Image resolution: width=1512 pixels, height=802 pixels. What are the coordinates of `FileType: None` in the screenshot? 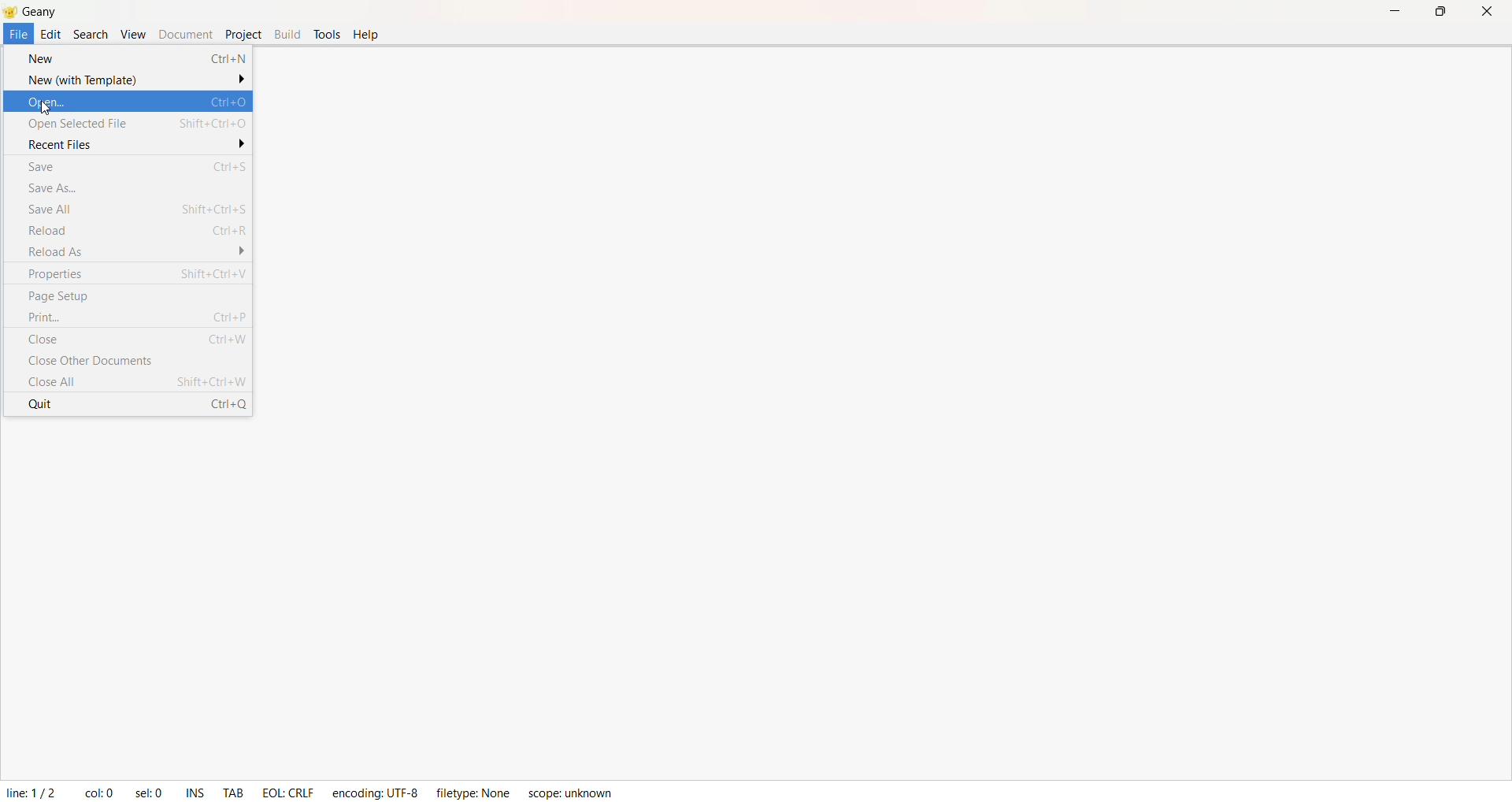 It's located at (473, 791).